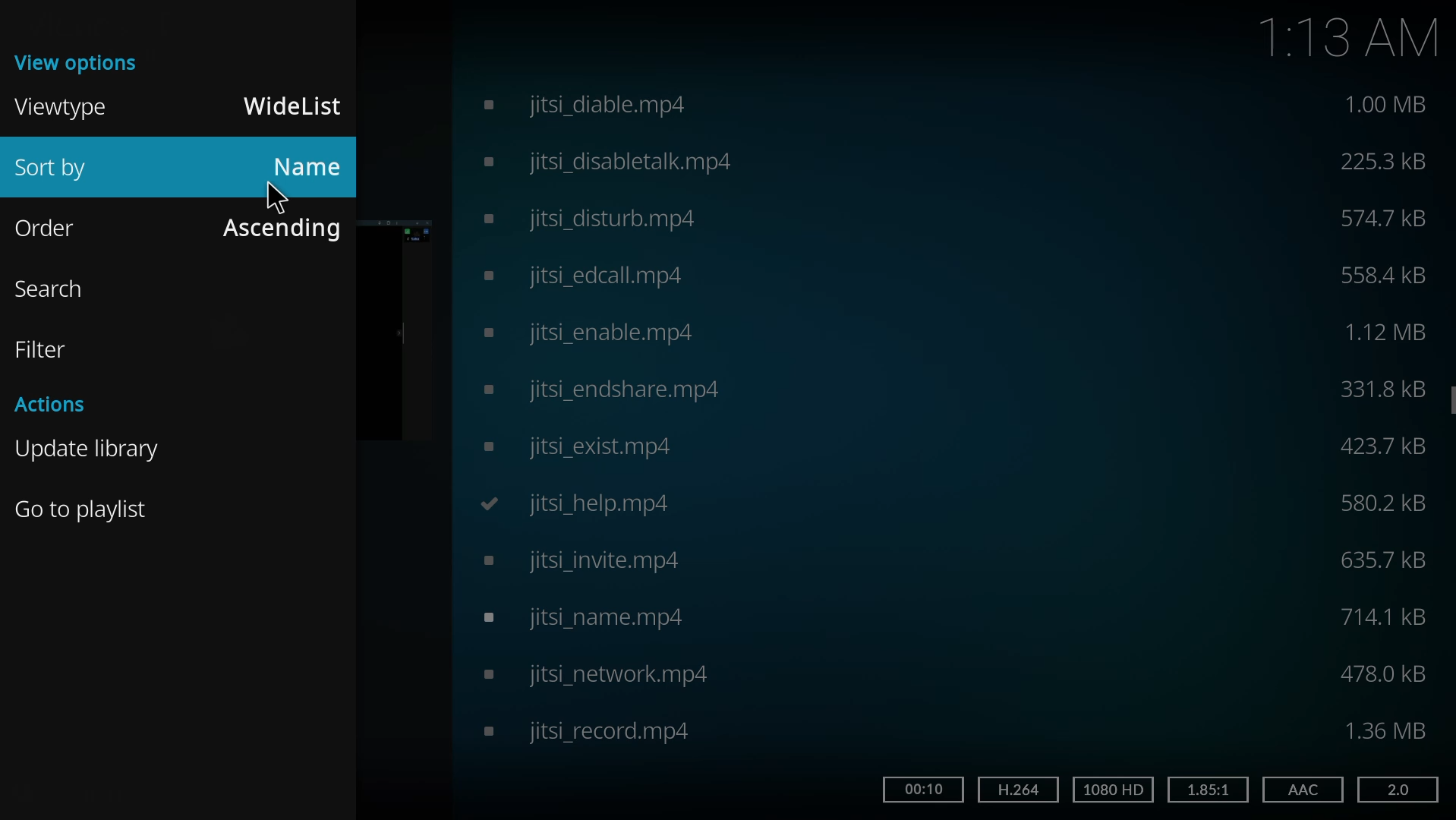 Image resolution: width=1456 pixels, height=820 pixels. What do you see at coordinates (606, 388) in the screenshot?
I see `video` at bounding box center [606, 388].